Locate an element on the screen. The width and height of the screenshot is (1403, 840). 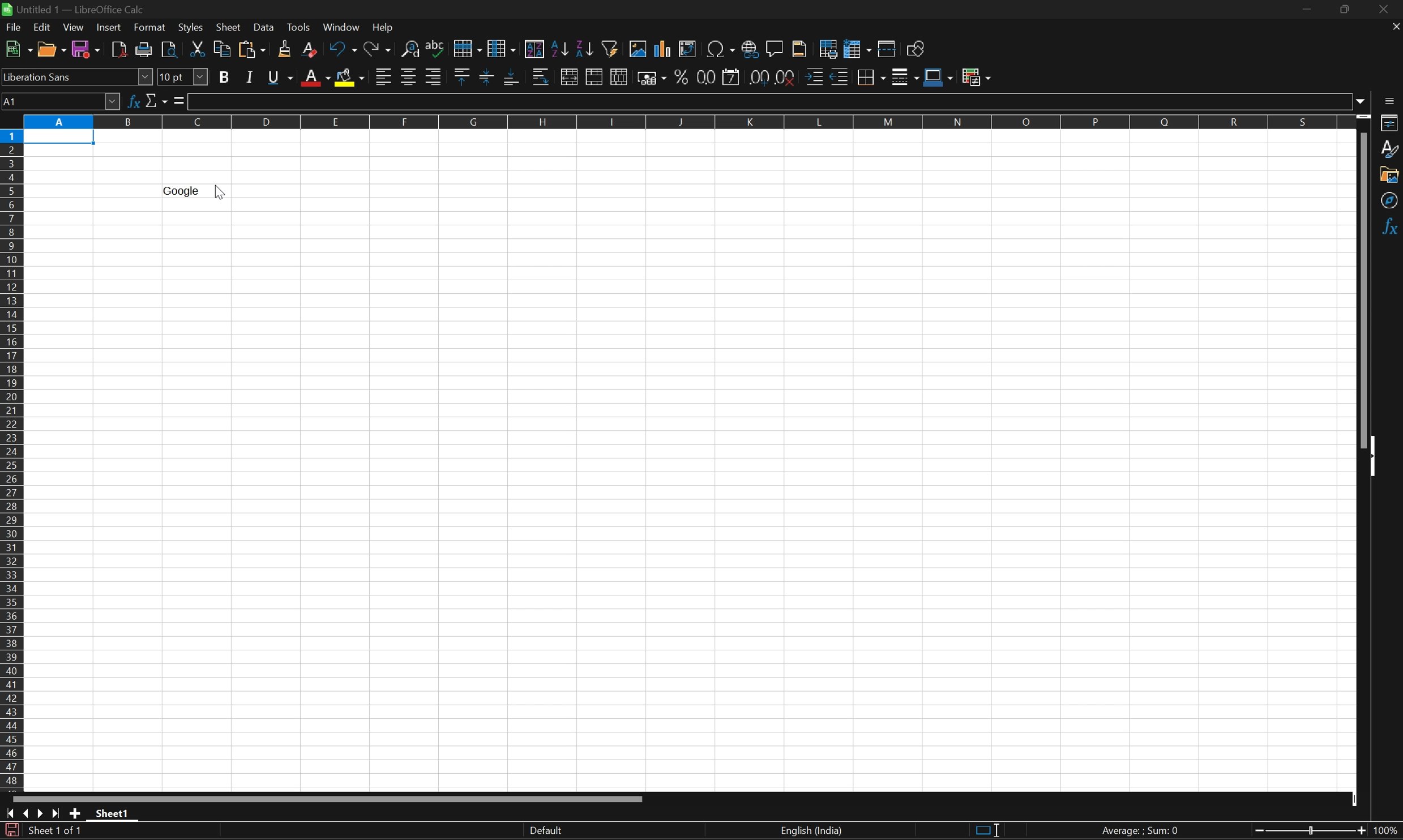
Delete decimal place is located at coordinates (788, 78).